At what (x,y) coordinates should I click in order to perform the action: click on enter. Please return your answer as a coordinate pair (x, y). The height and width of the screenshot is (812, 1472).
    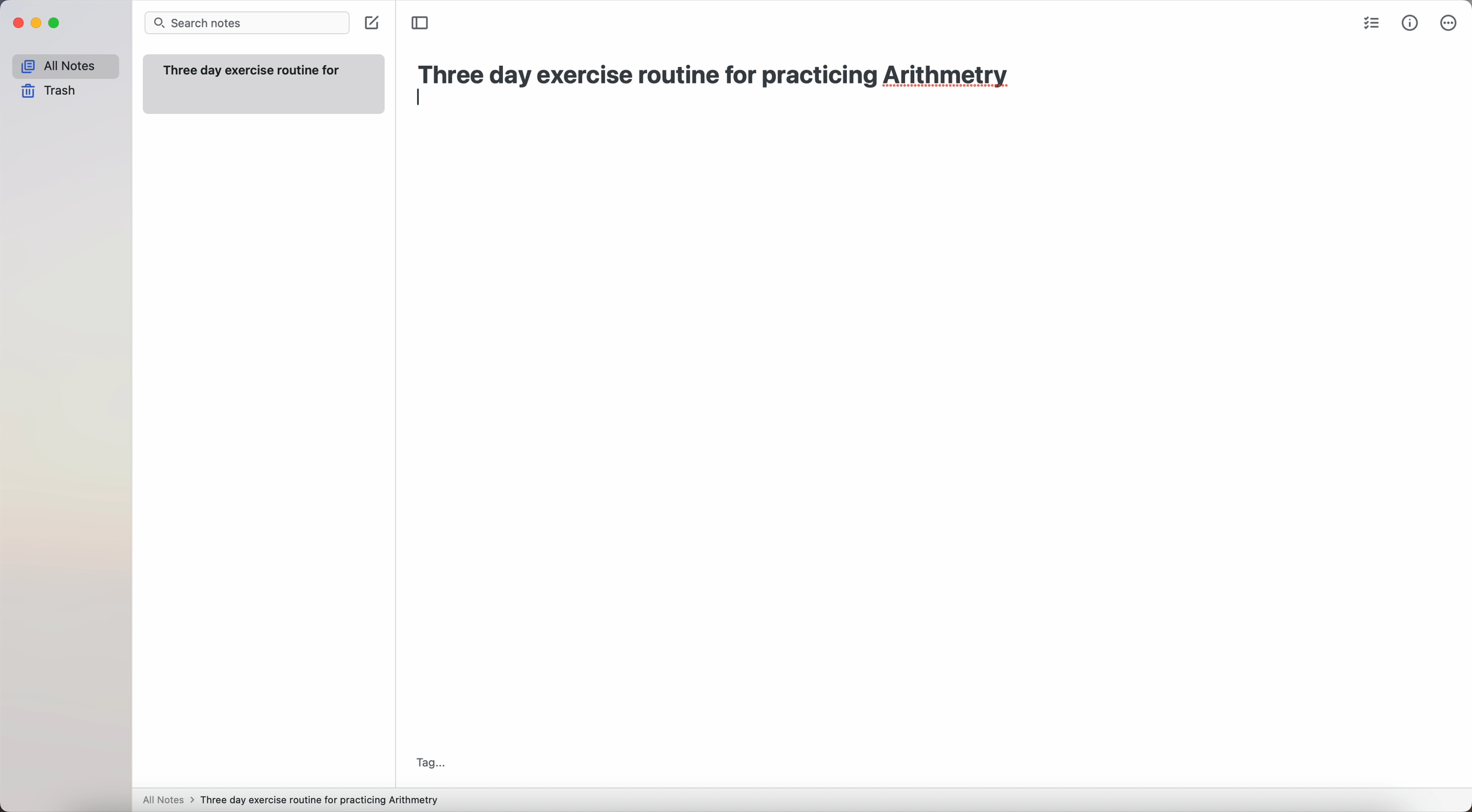
    Looking at the image, I should click on (418, 96).